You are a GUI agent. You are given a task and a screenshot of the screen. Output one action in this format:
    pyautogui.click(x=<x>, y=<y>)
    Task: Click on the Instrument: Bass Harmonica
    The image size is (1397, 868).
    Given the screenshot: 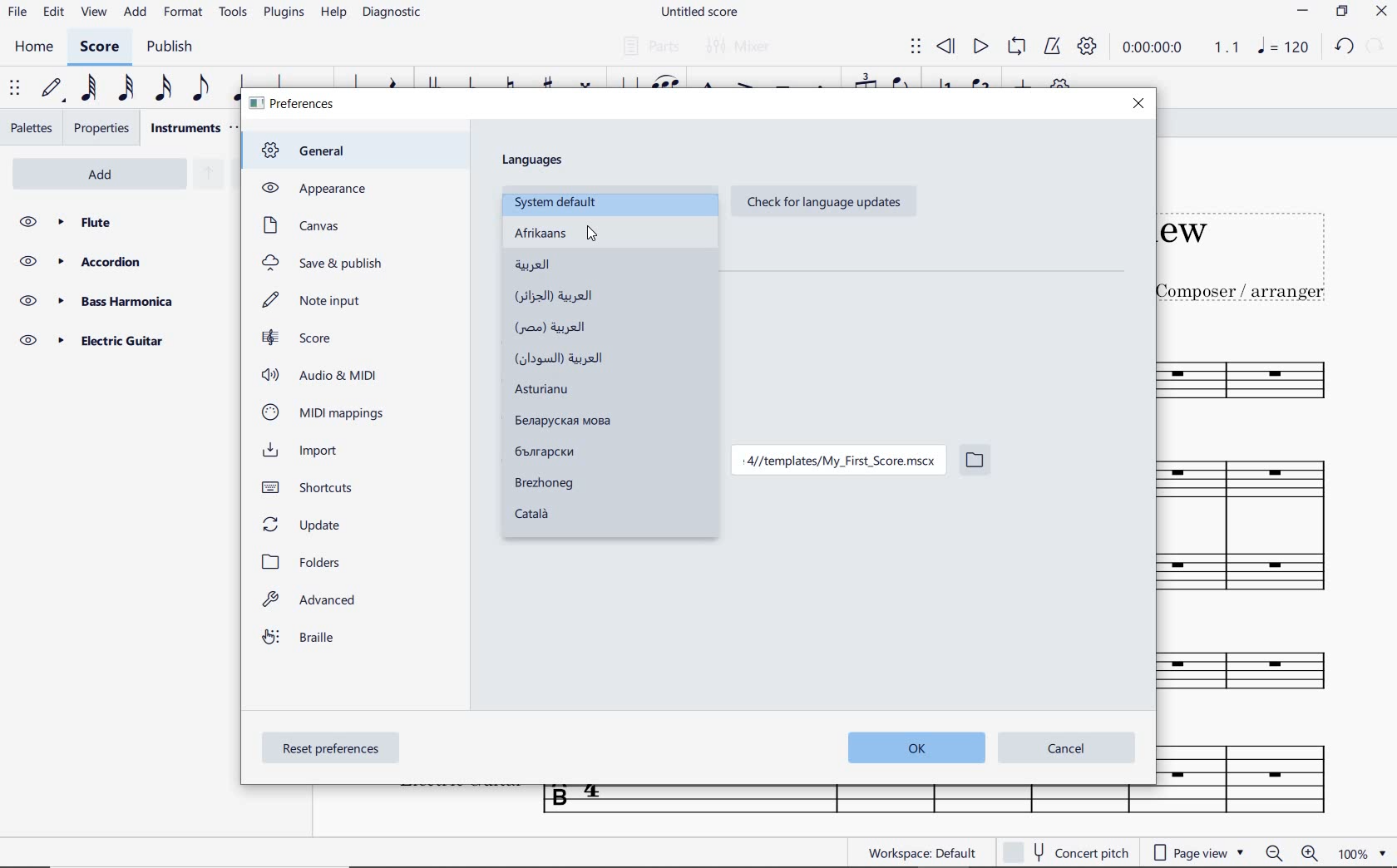 What is the action you would take?
    pyautogui.click(x=1266, y=675)
    